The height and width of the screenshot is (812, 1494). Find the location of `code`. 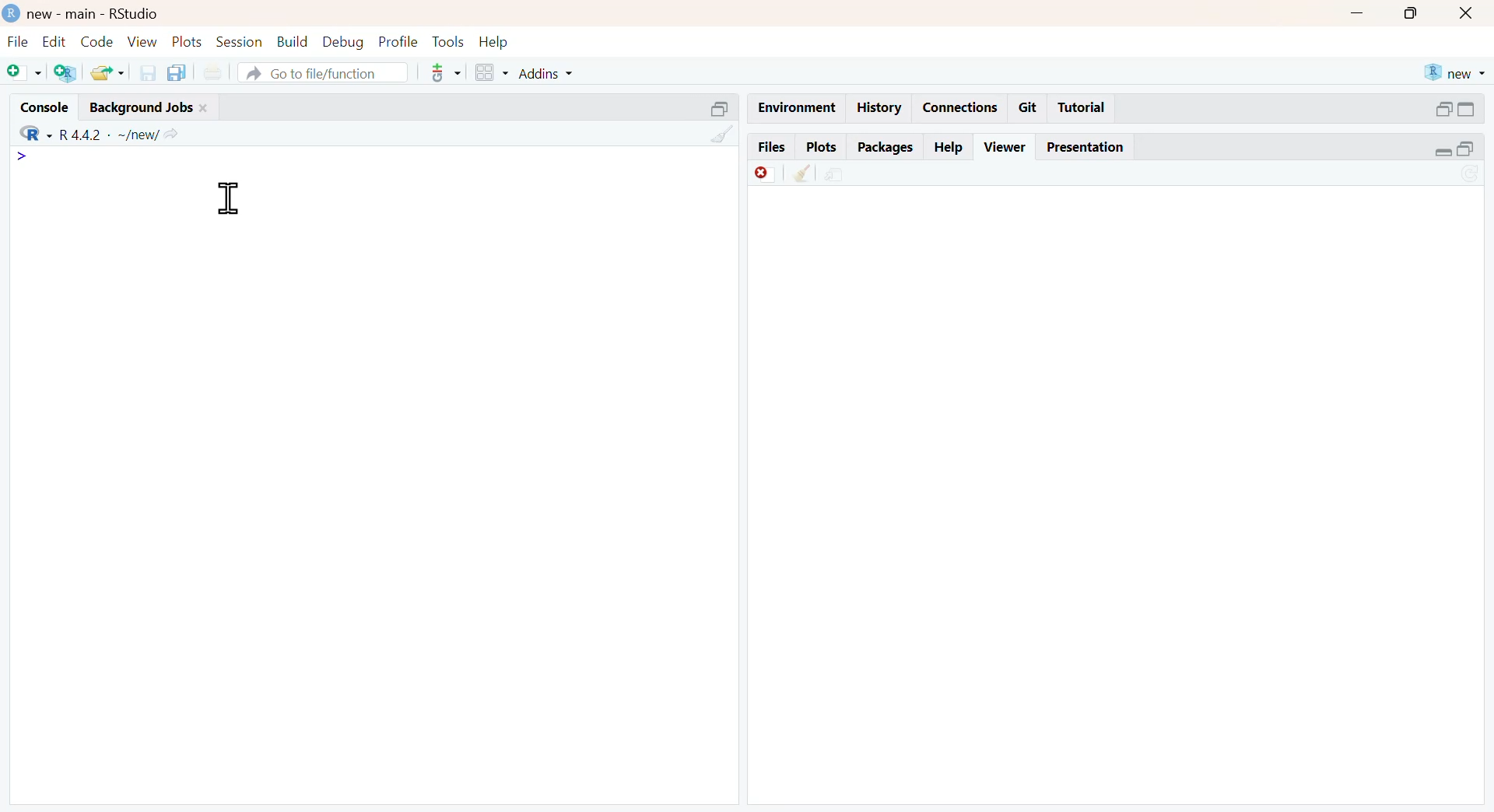

code is located at coordinates (97, 41).